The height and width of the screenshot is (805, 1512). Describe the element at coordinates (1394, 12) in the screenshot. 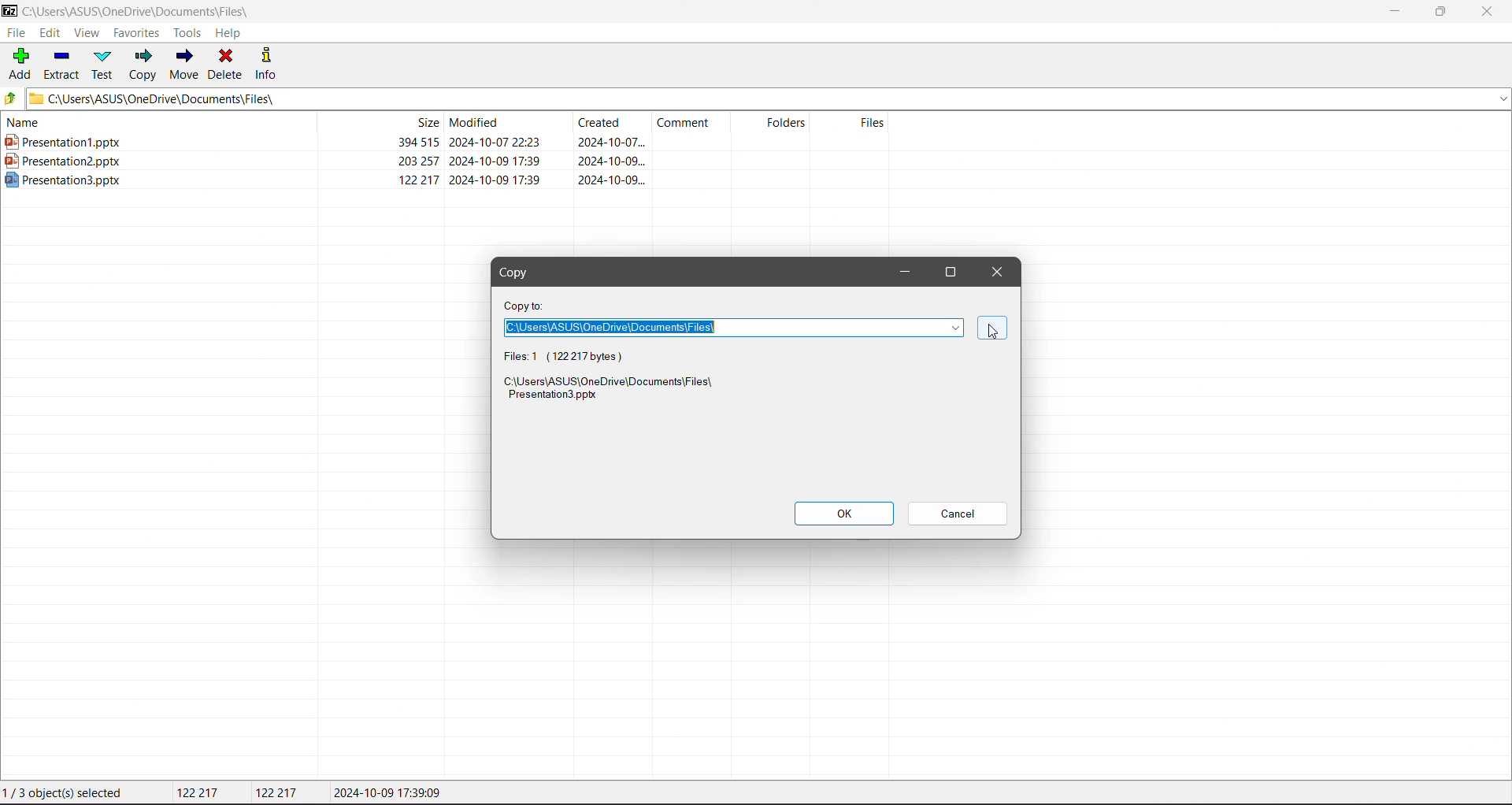

I see `Minimize` at that location.